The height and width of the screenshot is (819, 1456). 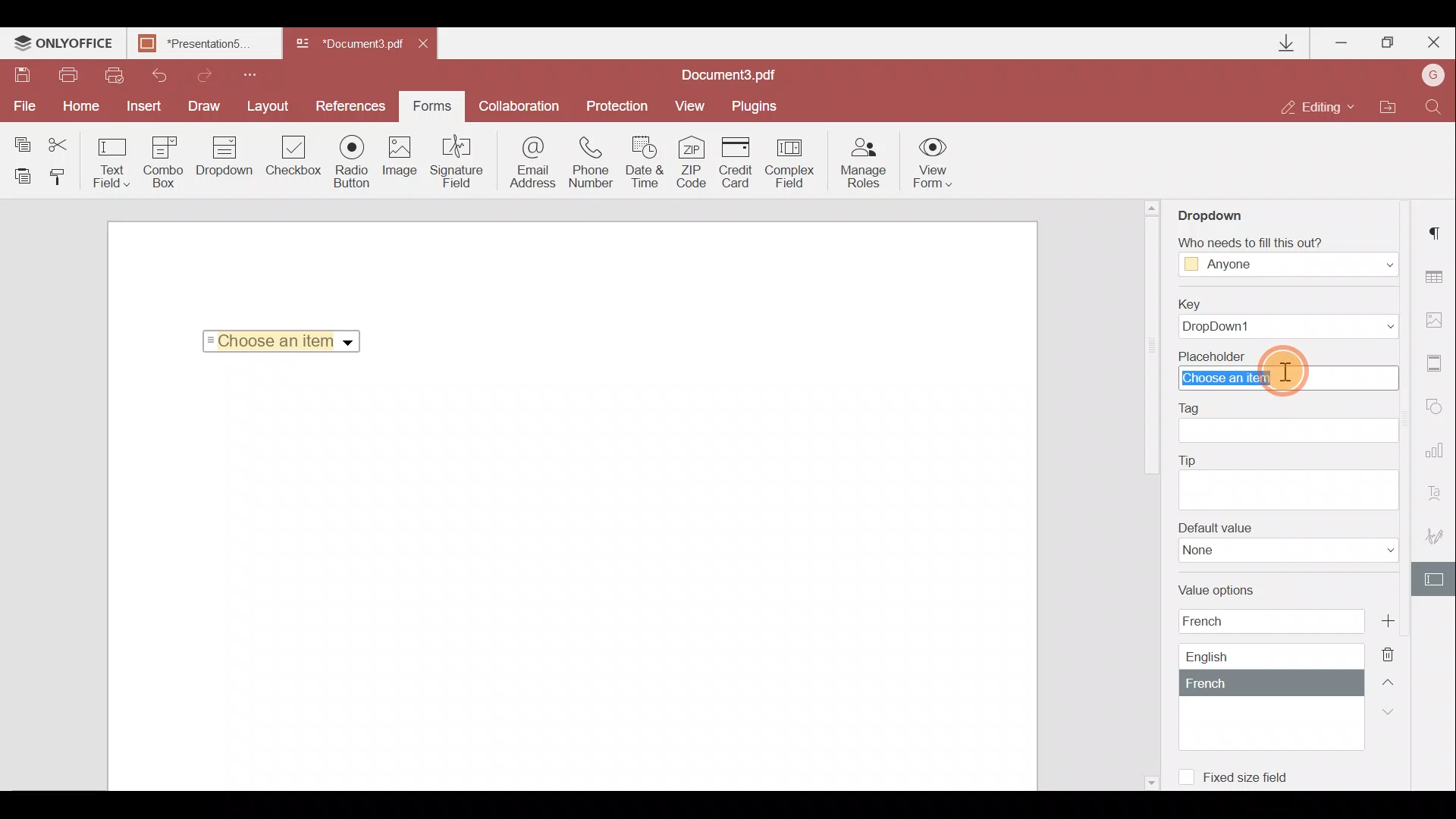 What do you see at coordinates (792, 162) in the screenshot?
I see `Complex field` at bounding box center [792, 162].